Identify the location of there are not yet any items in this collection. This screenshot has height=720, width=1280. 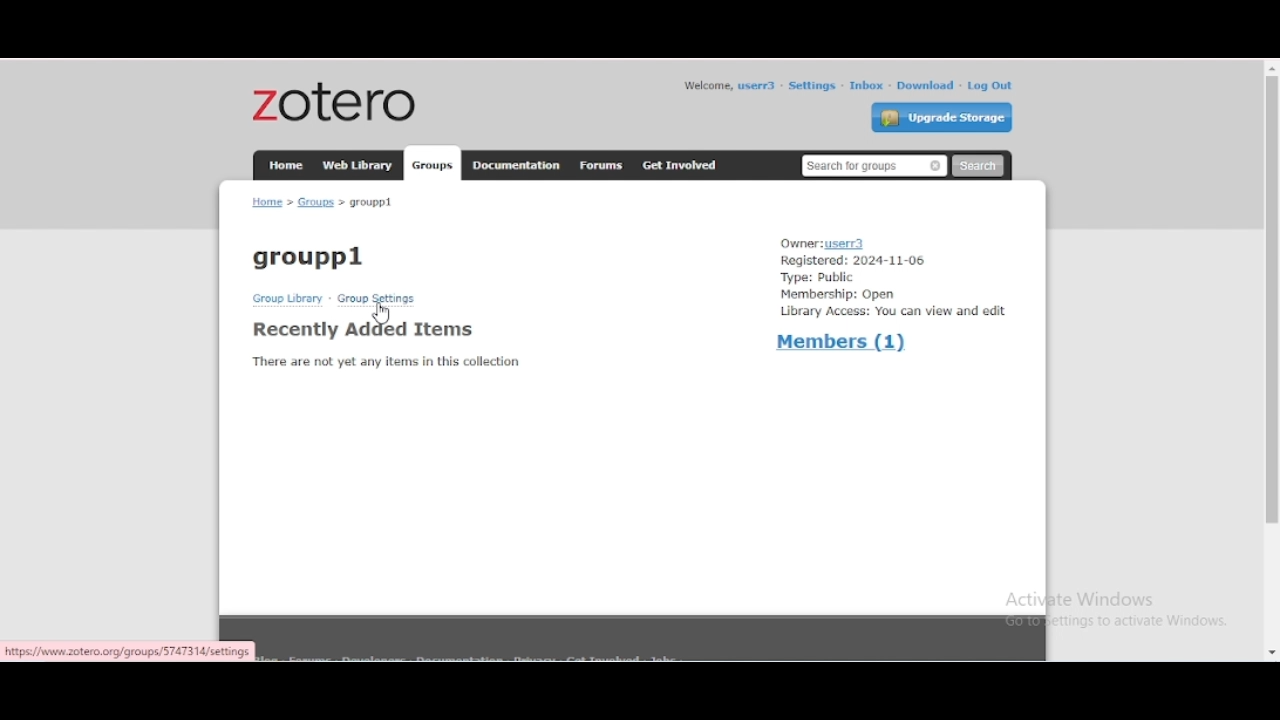
(386, 361).